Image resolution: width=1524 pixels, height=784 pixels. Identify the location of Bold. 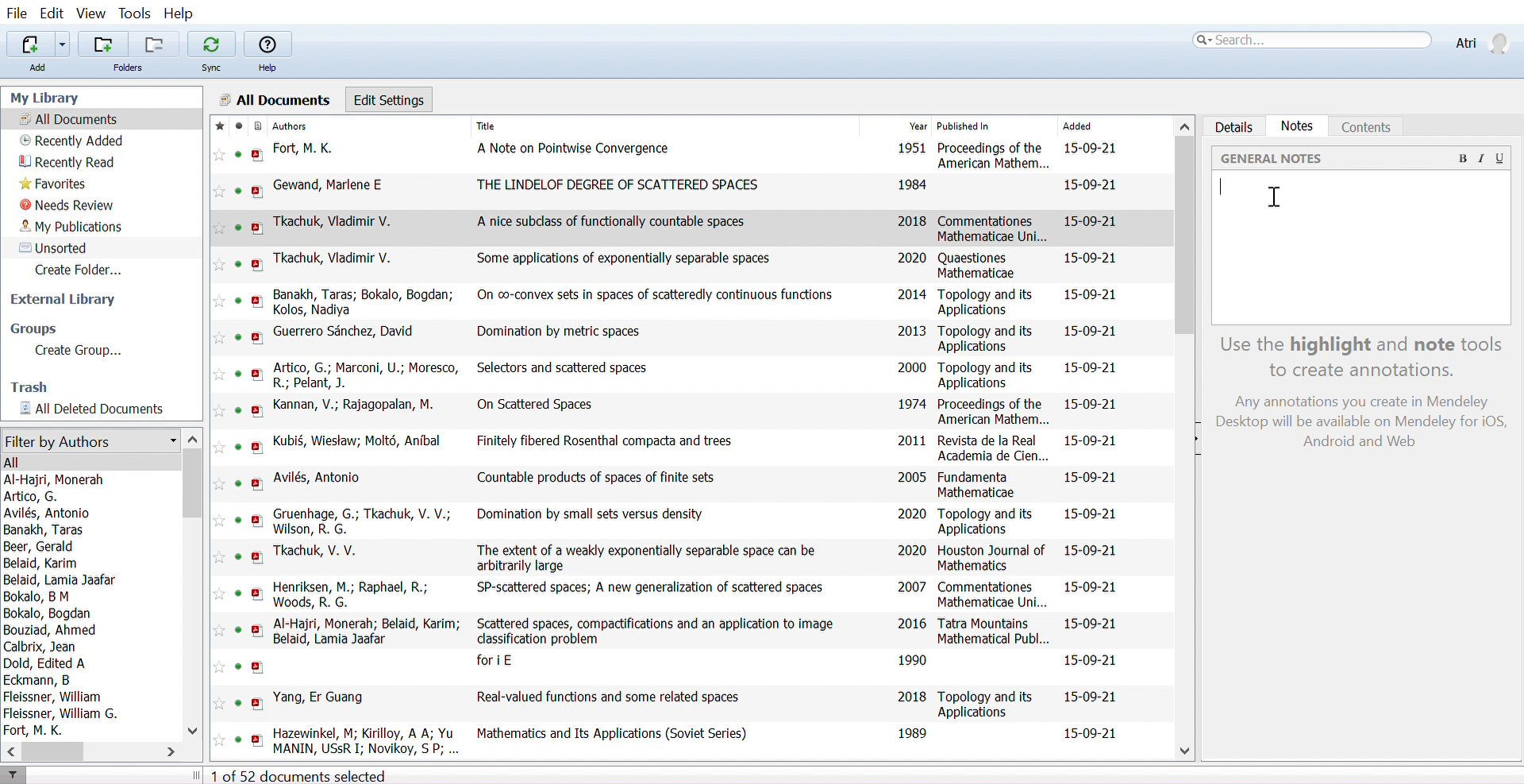
(1463, 159).